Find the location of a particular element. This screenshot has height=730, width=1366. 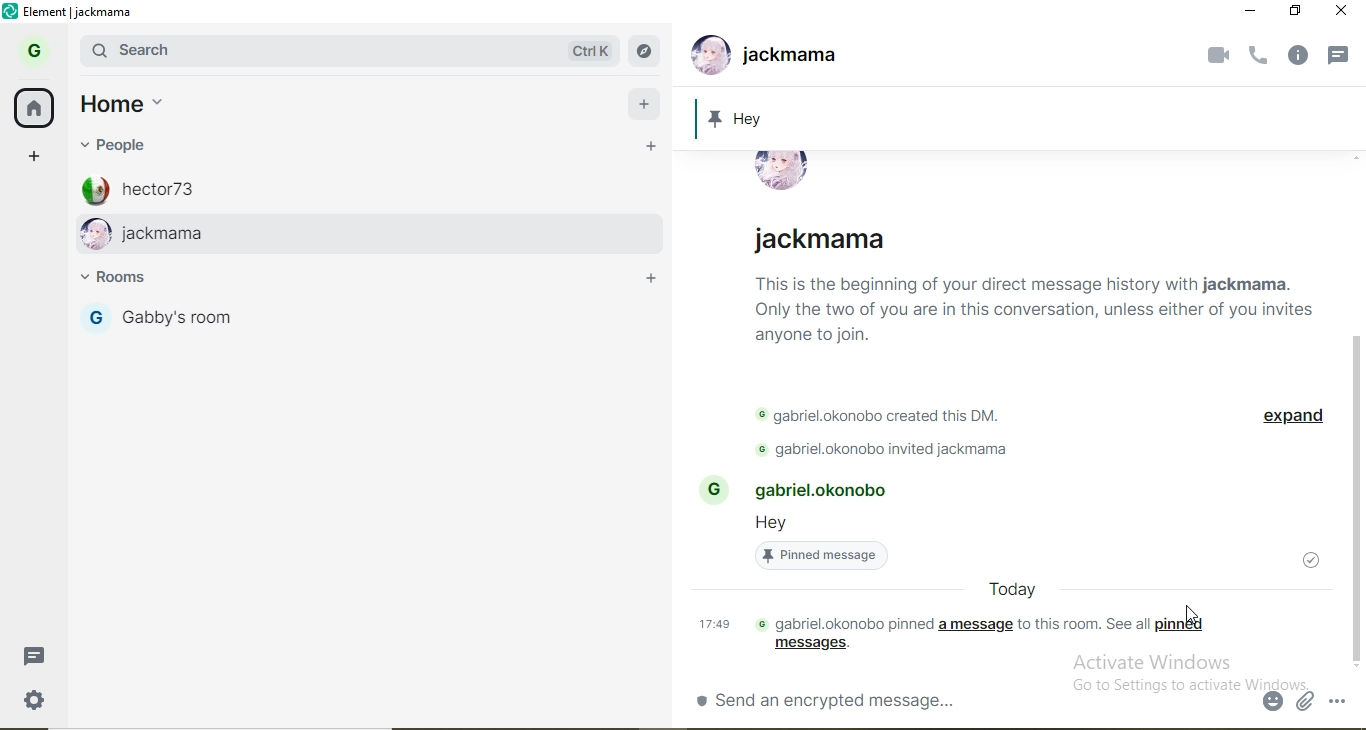

 is located at coordinates (831, 699).